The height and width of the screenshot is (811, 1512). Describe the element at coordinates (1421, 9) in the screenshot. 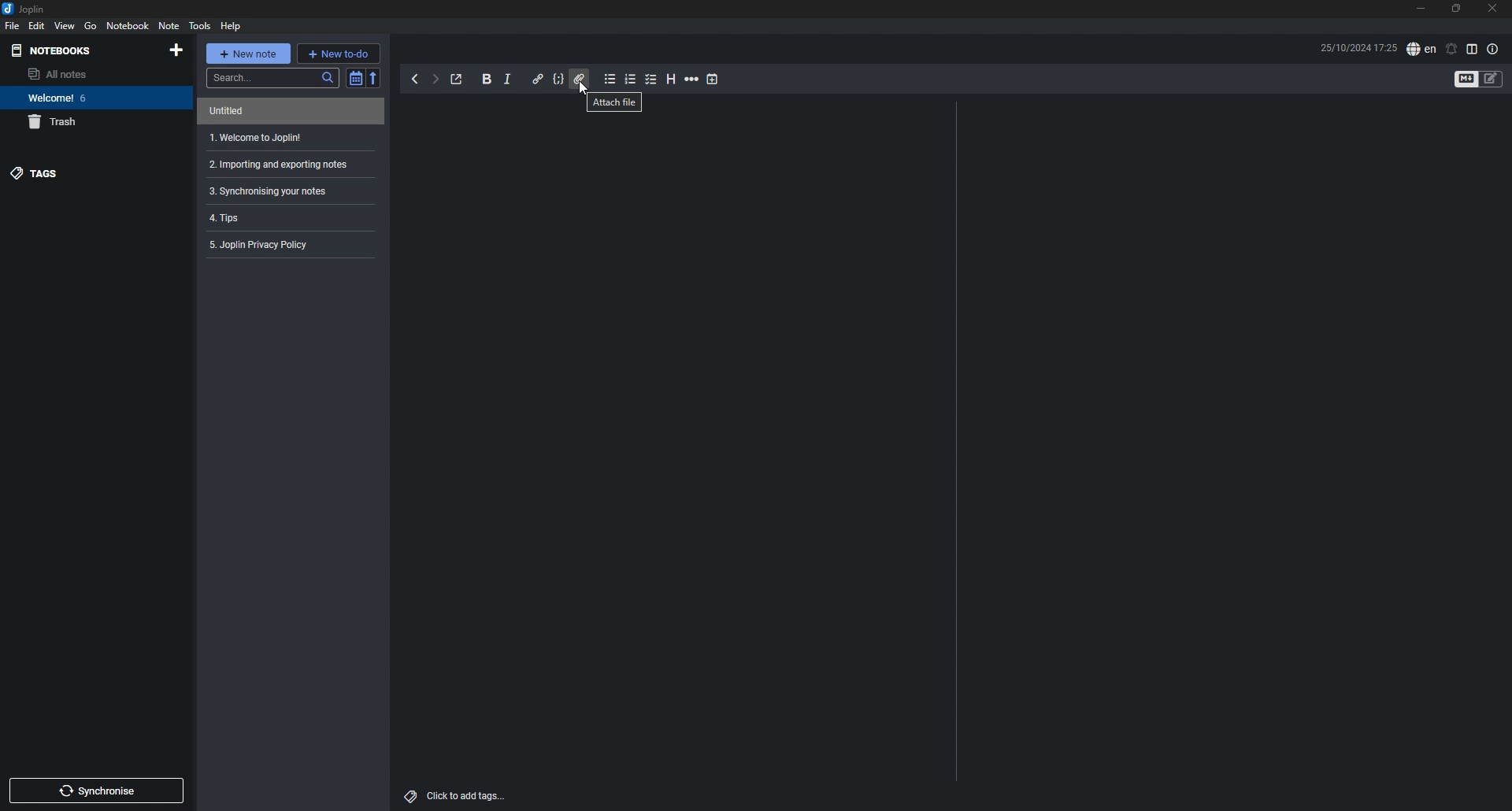

I see `minimize` at that location.